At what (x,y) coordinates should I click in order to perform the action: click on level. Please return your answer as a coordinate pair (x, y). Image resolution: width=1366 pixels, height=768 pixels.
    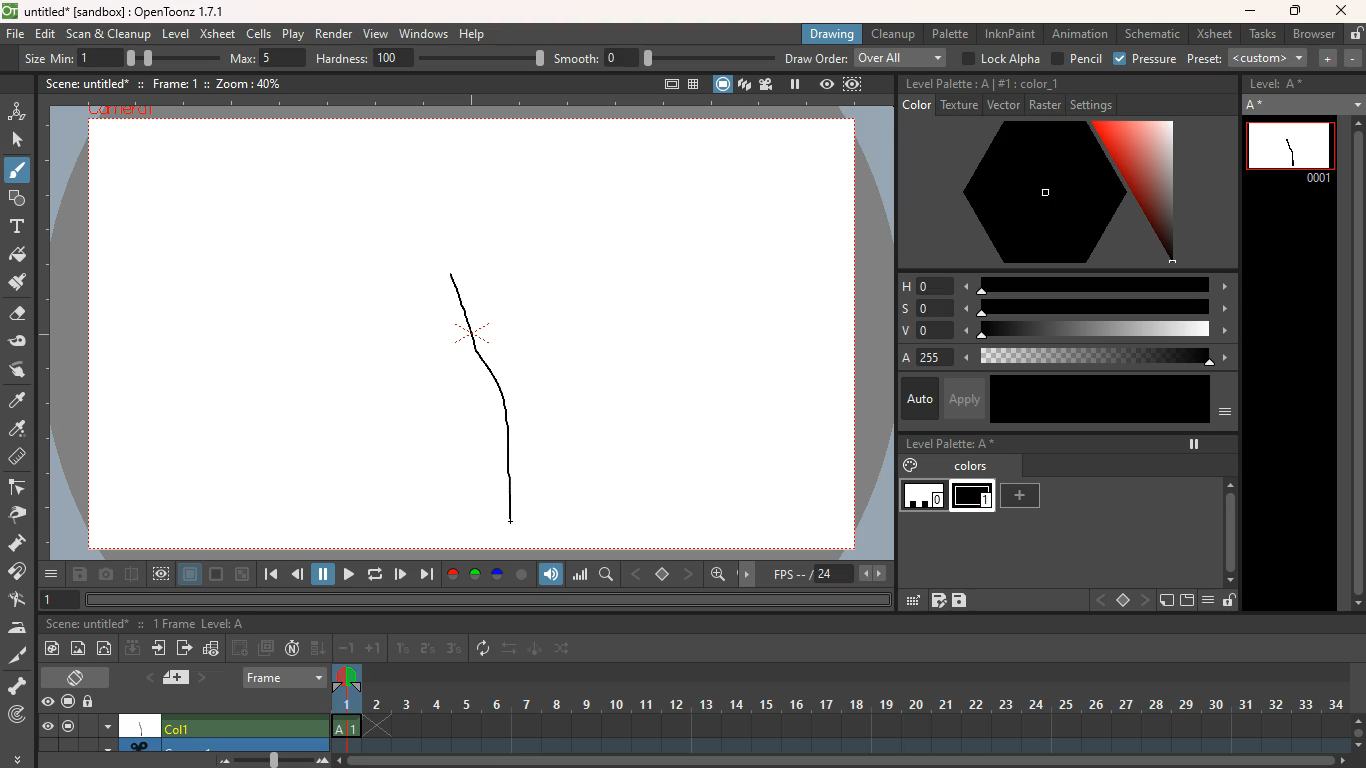
    Looking at the image, I should click on (975, 497).